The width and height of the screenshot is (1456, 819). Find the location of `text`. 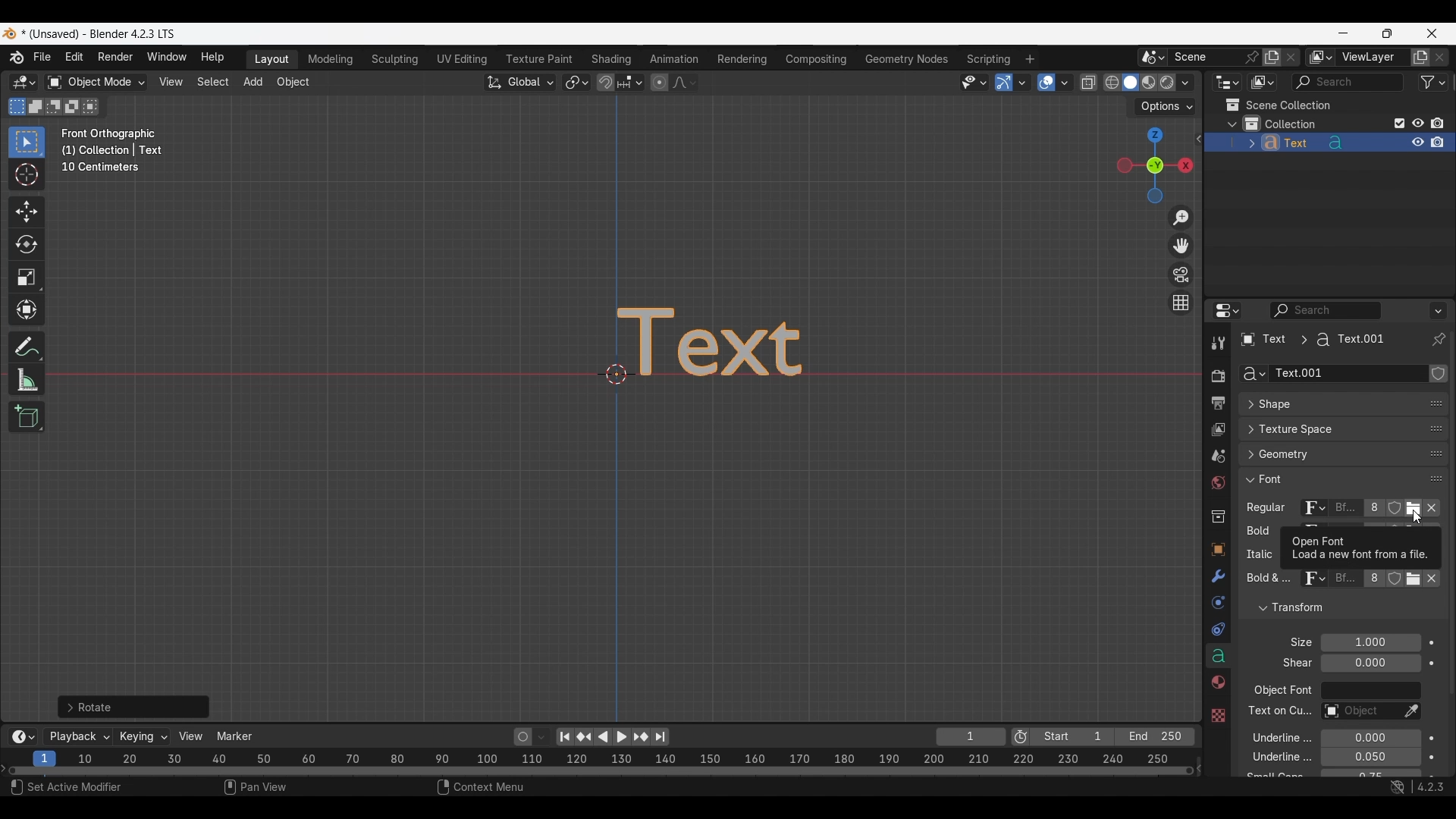

text is located at coordinates (1266, 580).